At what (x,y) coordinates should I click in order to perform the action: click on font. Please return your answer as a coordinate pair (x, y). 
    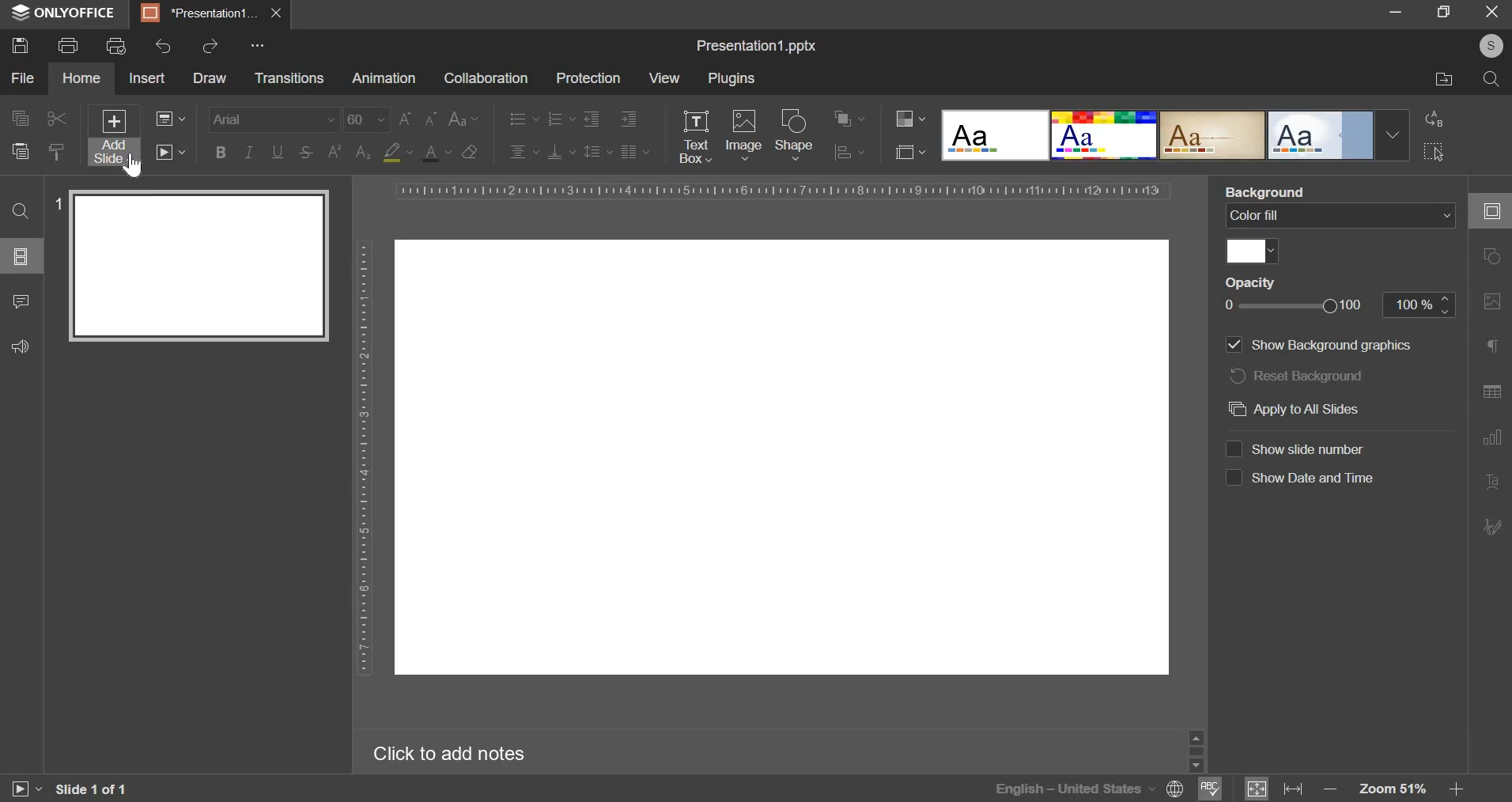
    Looking at the image, I should click on (275, 118).